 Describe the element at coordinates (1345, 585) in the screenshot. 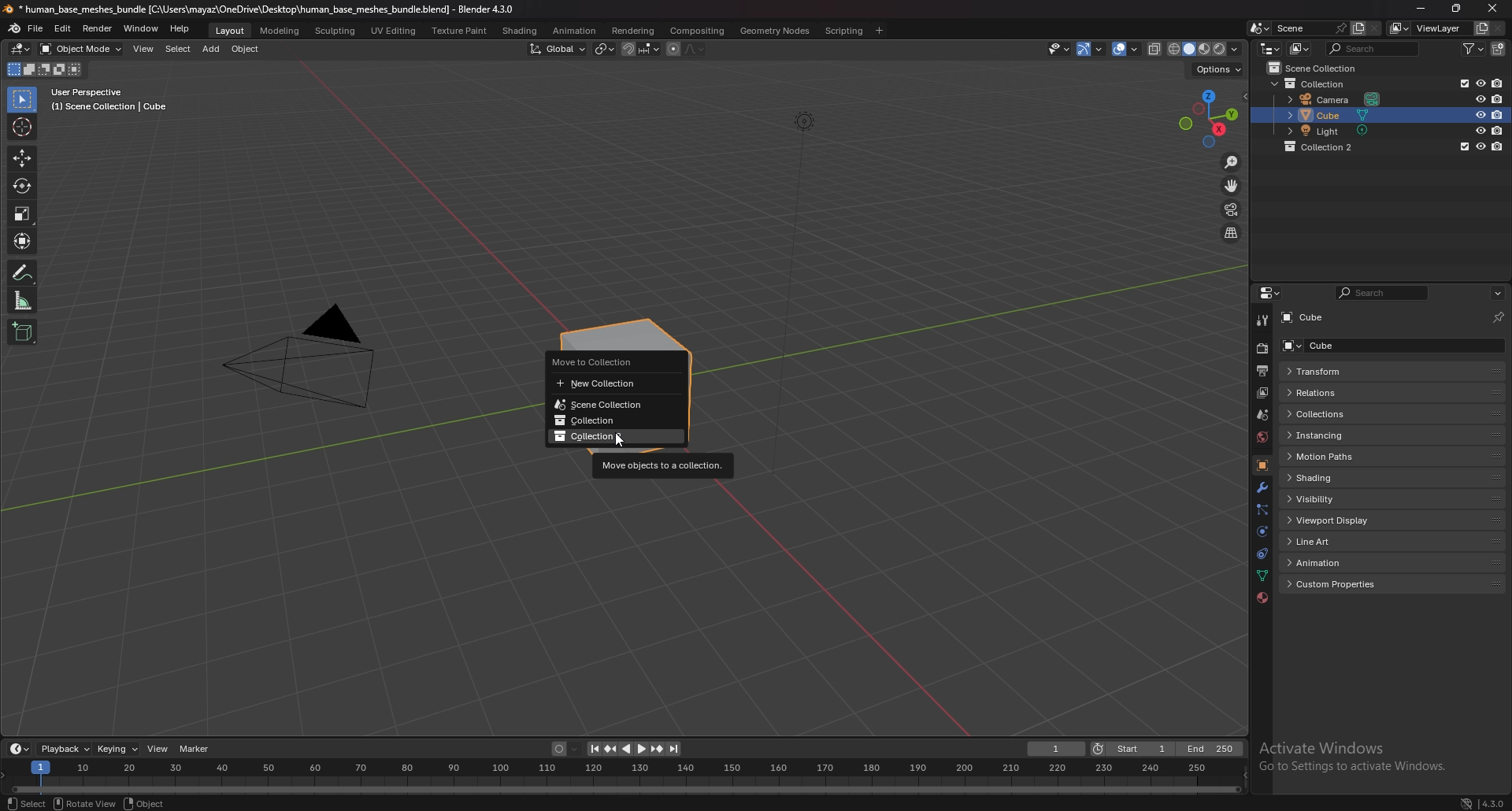

I see `custom properties` at that location.